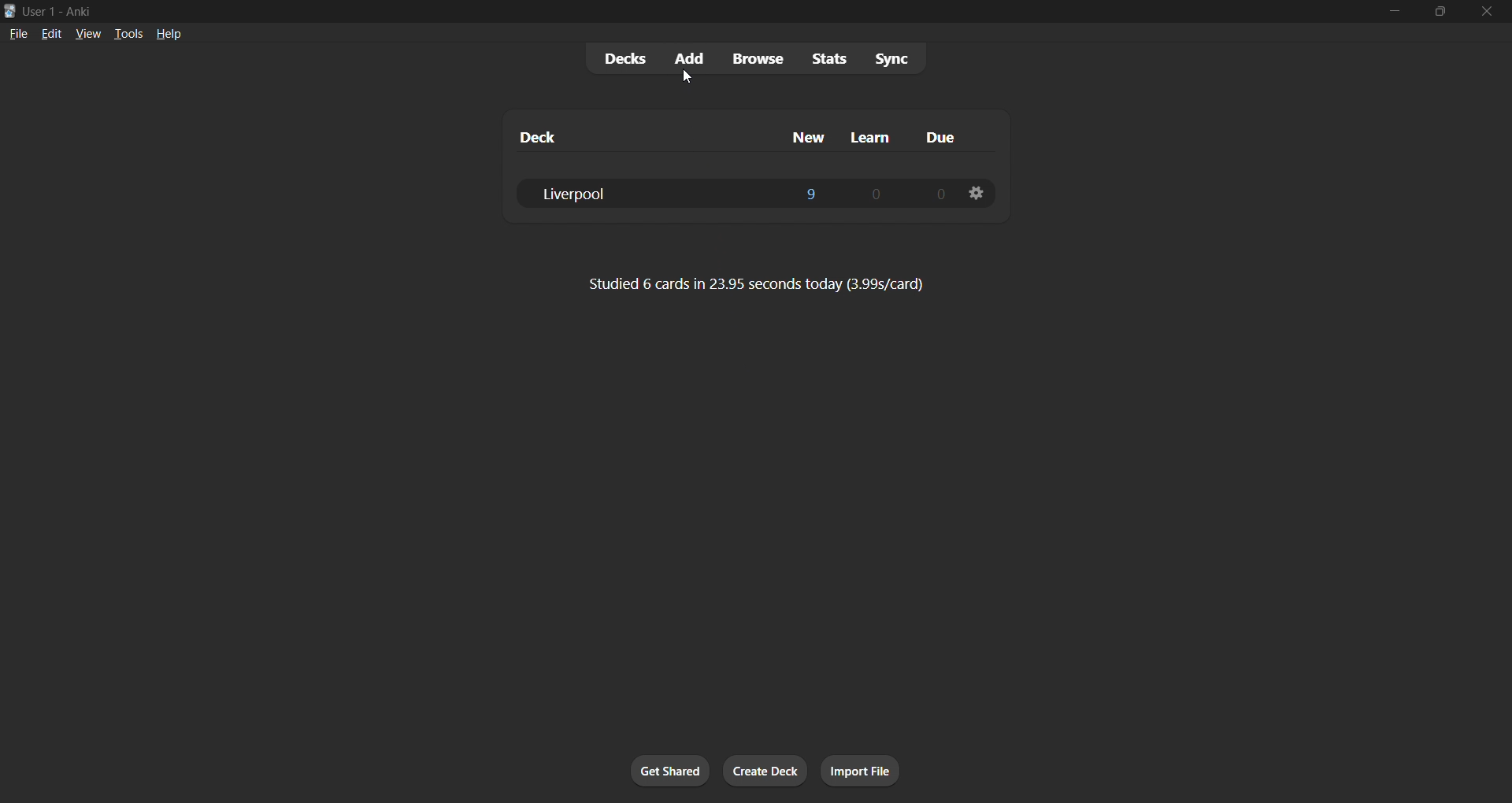  Describe the element at coordinates (753, 58) in the screenshot. I see `browse` at that location.